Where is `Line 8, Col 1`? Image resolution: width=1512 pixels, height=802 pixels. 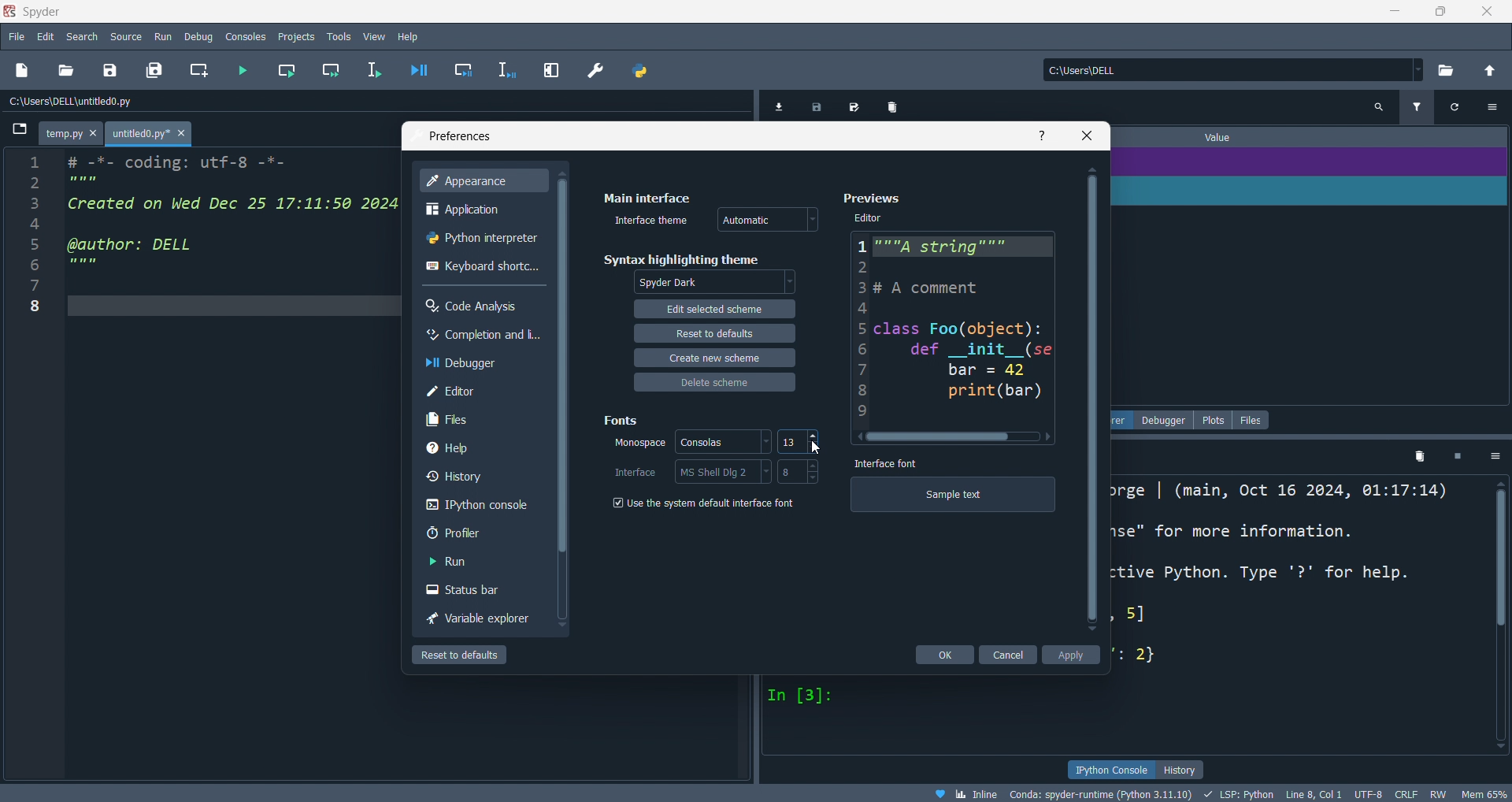
Line 8, Col 1 is located at coordinates (1319, 793).